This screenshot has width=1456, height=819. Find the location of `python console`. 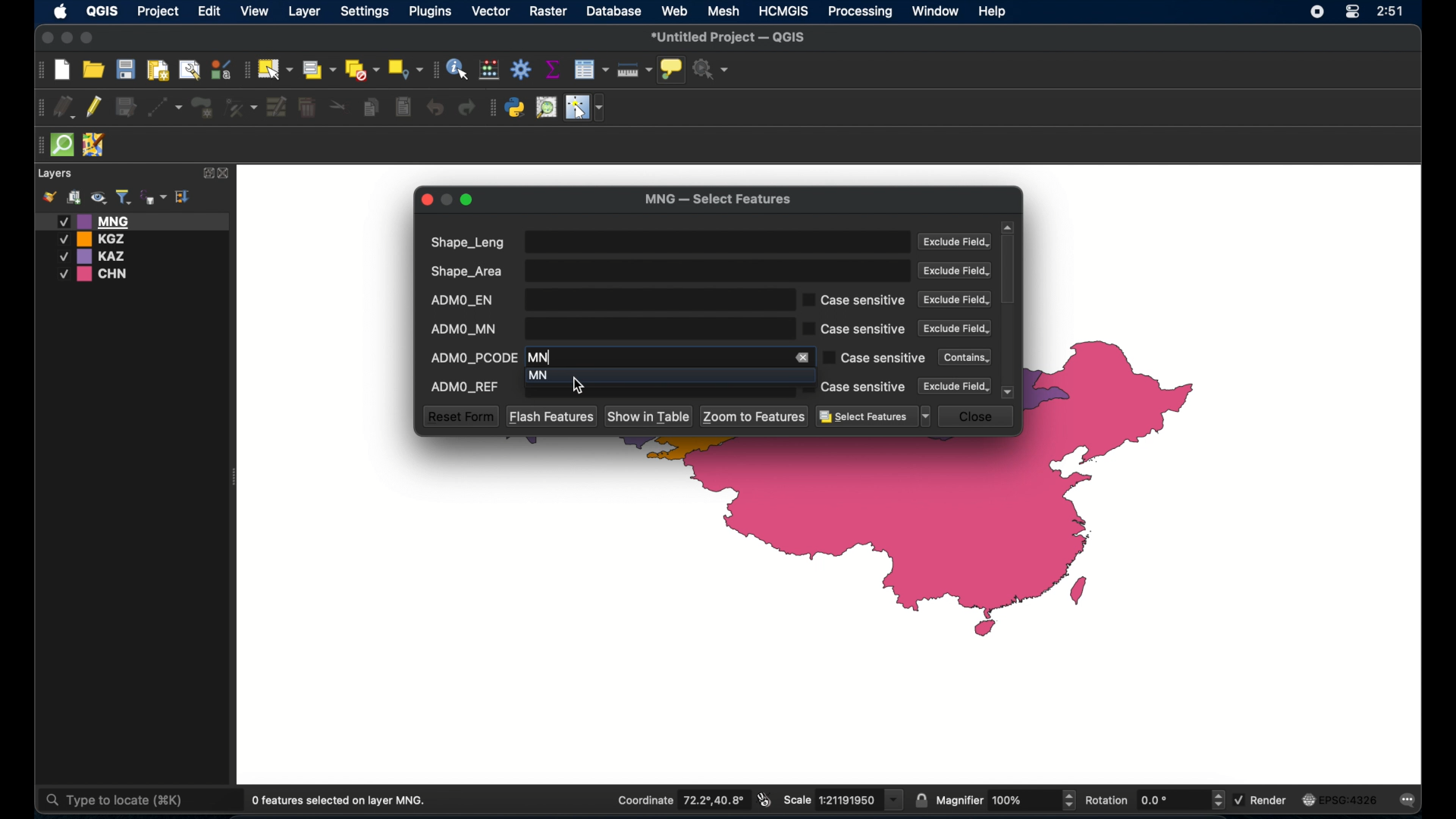

python console is located at coordinates (516, 108).